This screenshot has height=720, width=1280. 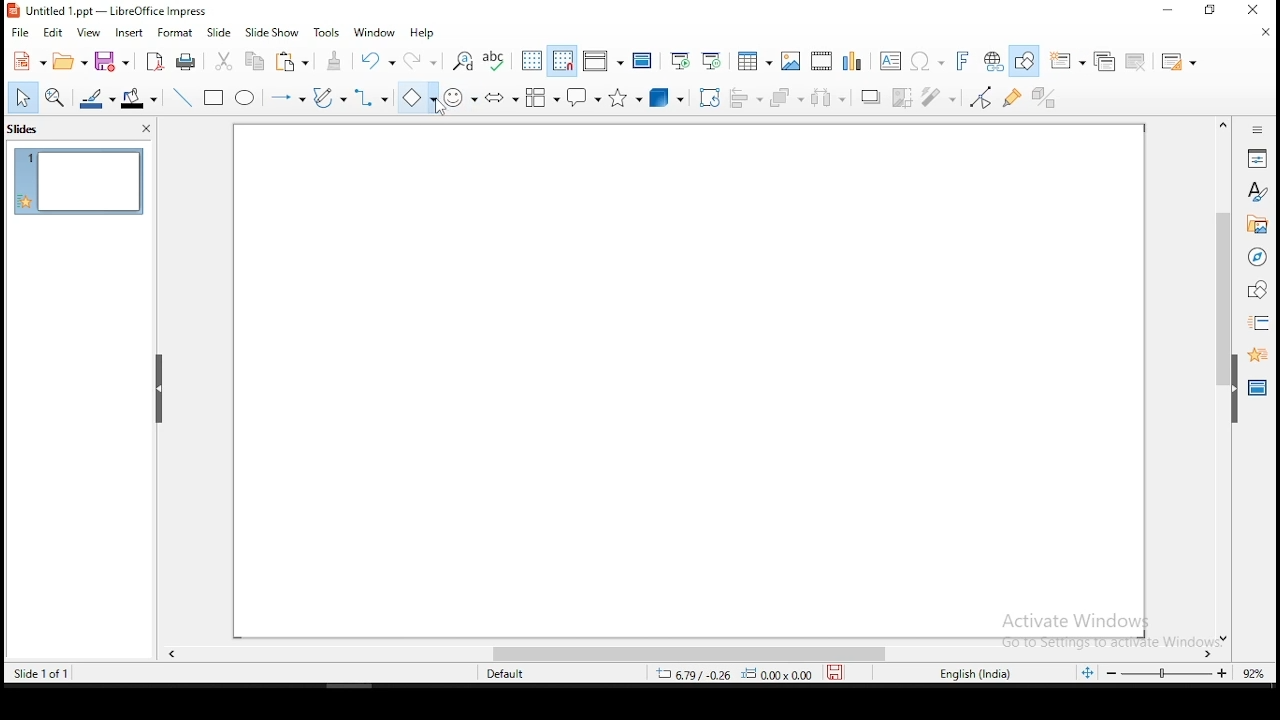 I want to click on show gluepoint functions, so click(x=1014, y=99).